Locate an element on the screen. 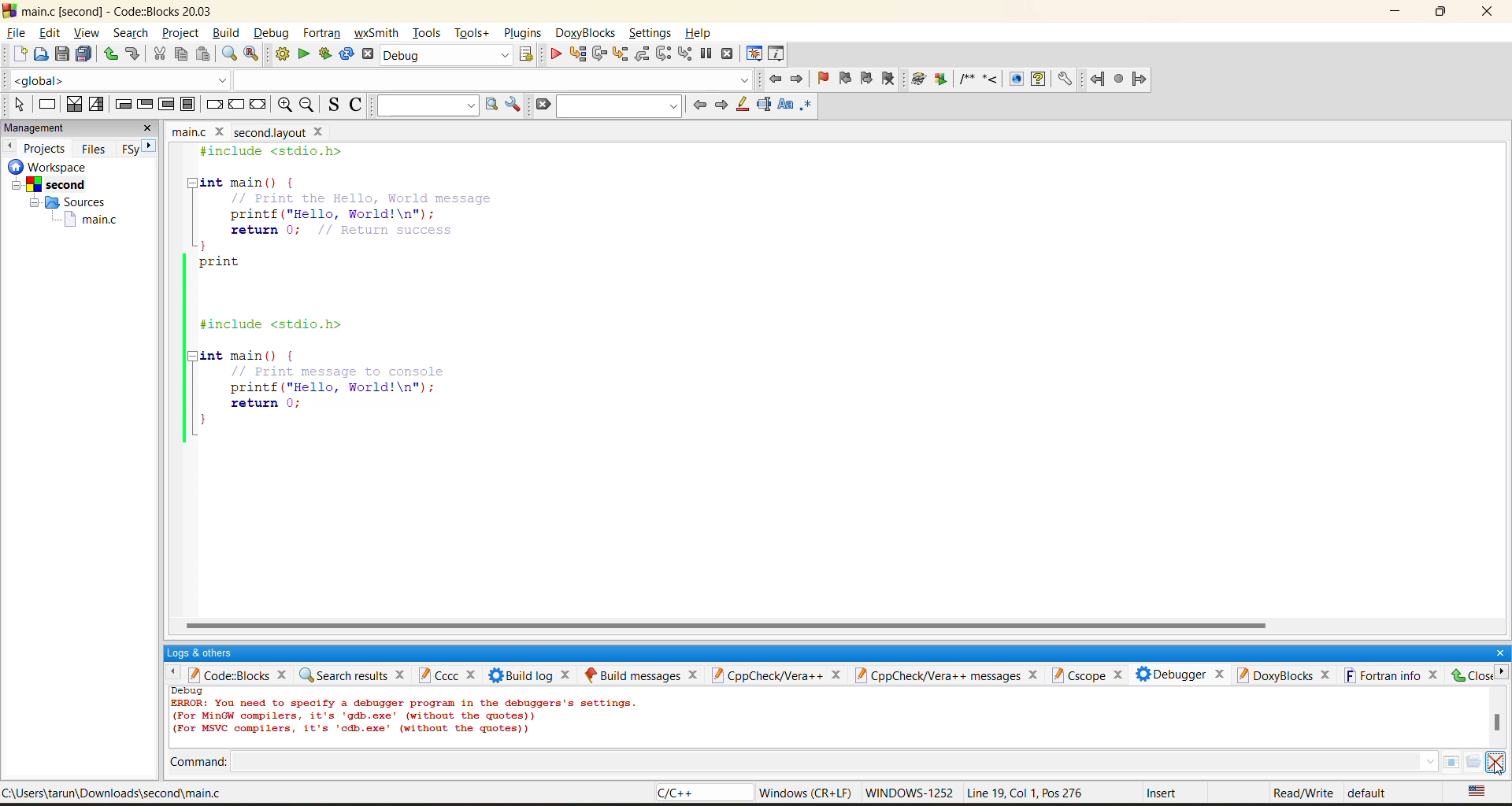 This screenshot has height=806, width=1512. settings is located at coordinates (650, 33).